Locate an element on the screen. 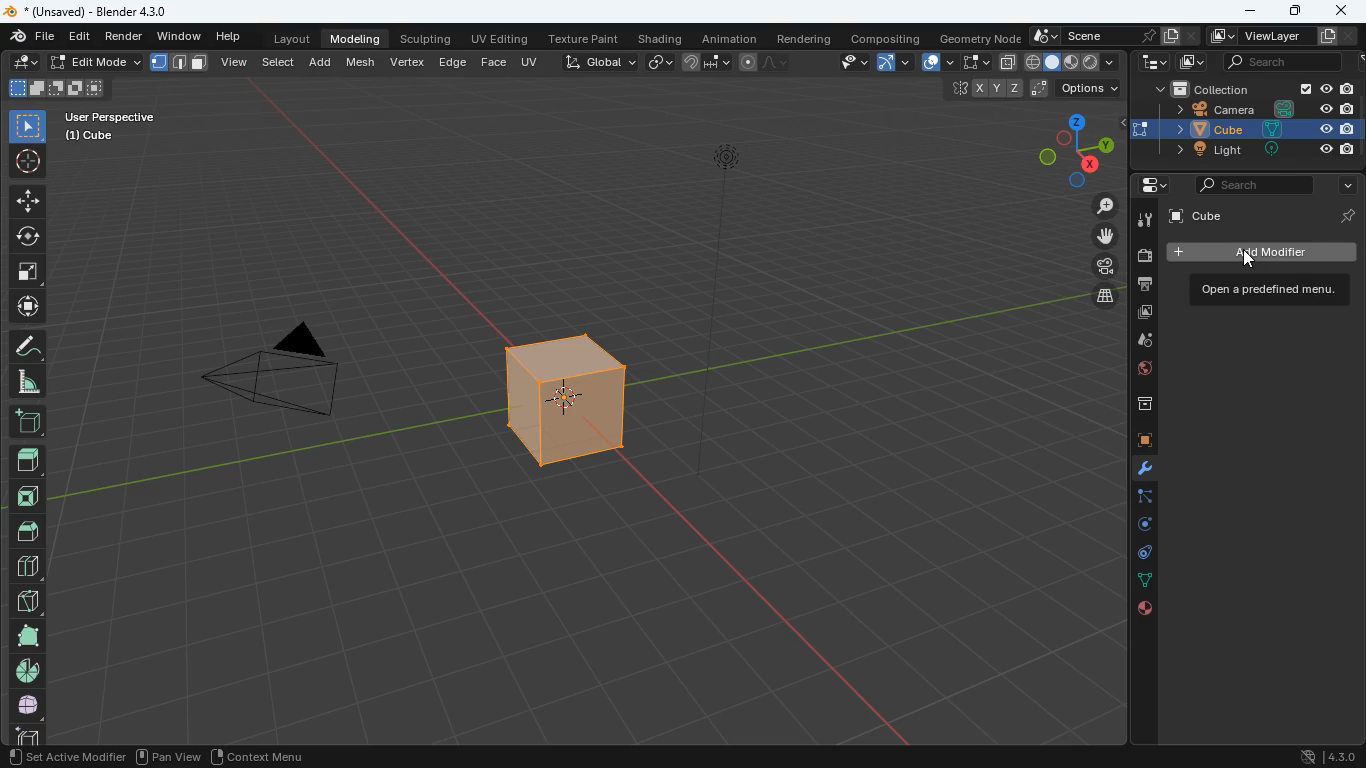  move is located at coordinates (28, 309).